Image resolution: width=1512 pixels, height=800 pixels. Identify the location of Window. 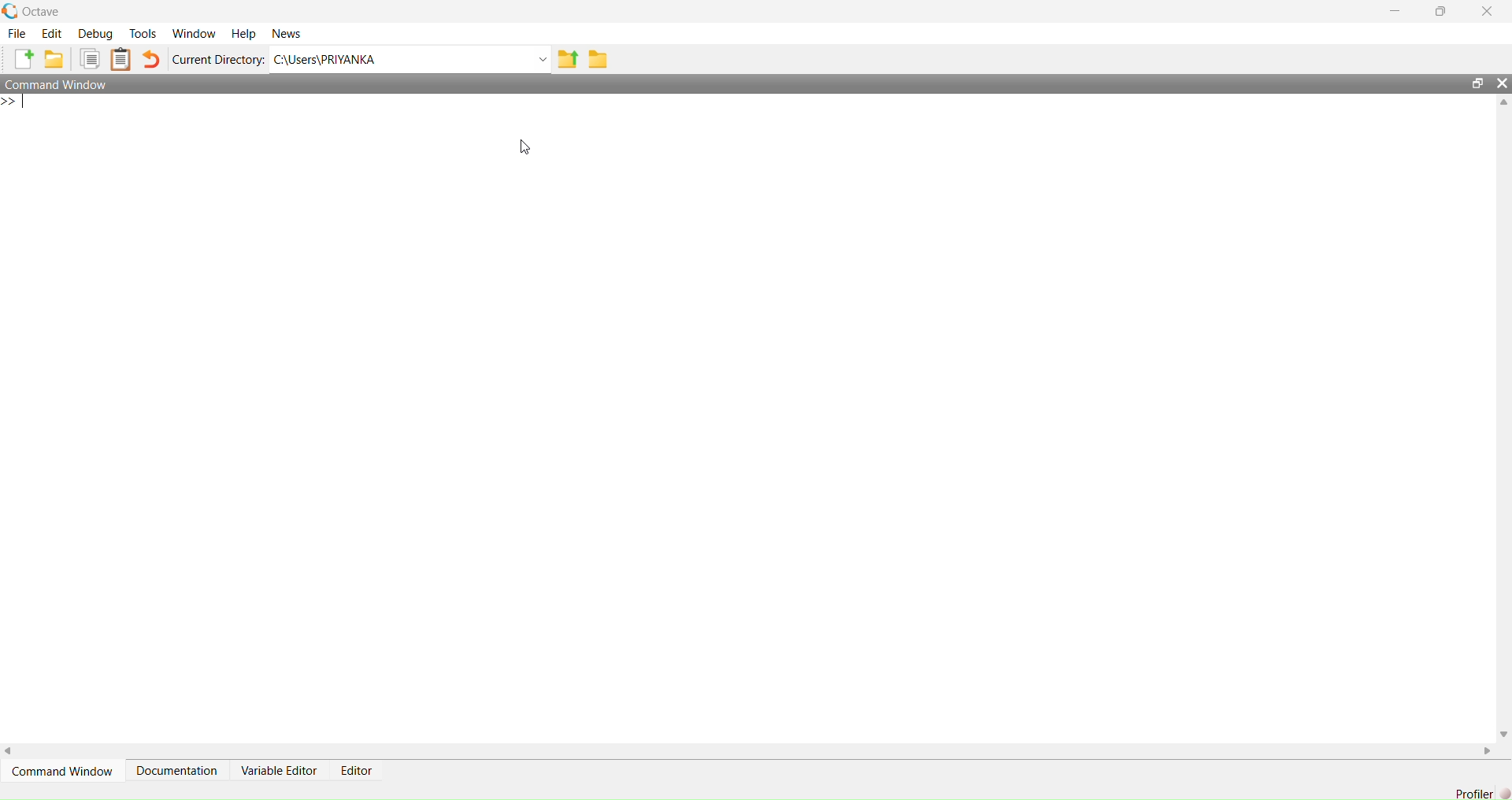
(194, 32).